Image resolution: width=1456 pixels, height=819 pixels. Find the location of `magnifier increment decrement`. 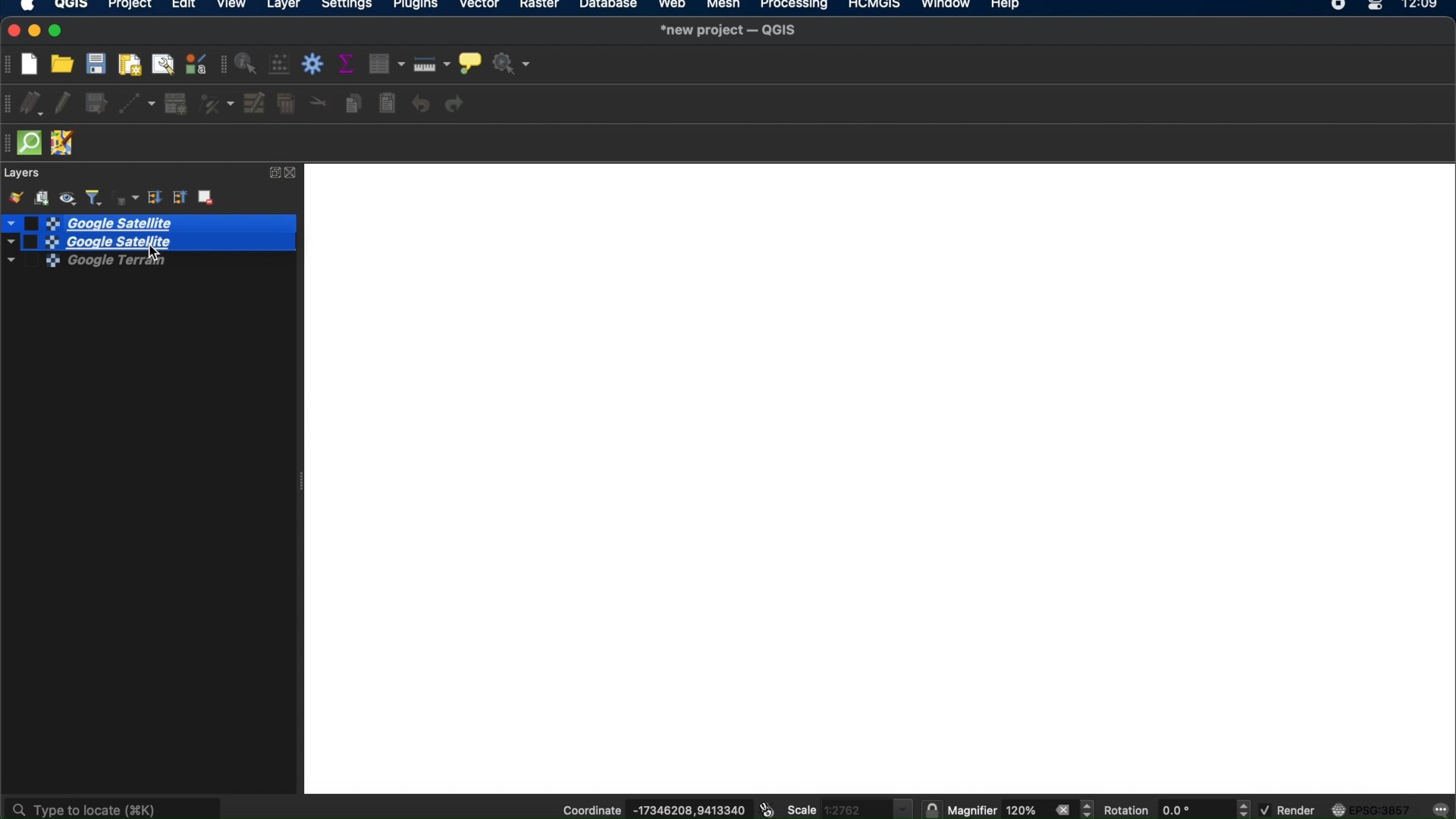

magnifier increment decrement is located at coordinates (1089, 808).